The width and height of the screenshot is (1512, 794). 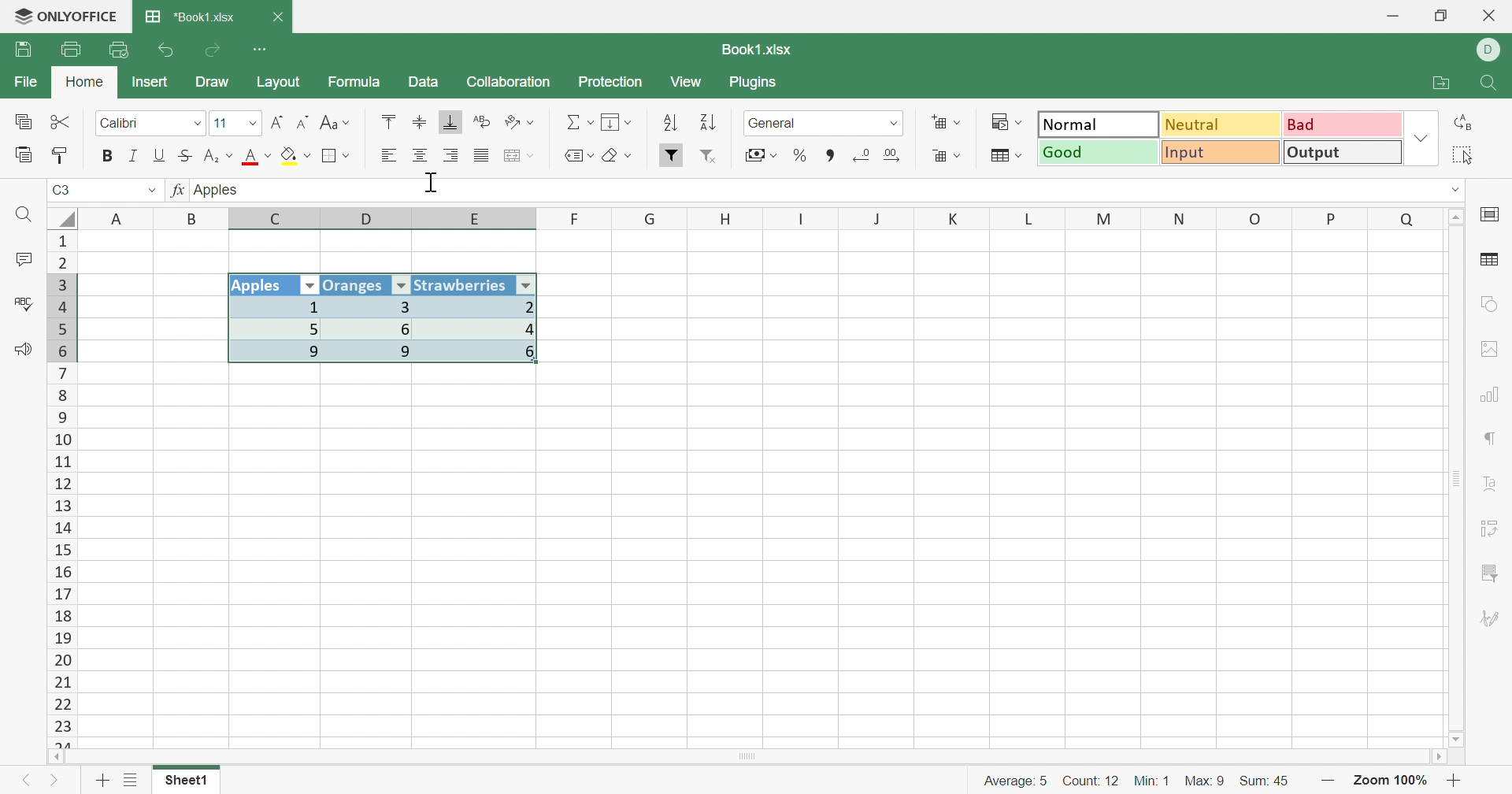 I want to click on shape settings, so click(x=1488, y=304).